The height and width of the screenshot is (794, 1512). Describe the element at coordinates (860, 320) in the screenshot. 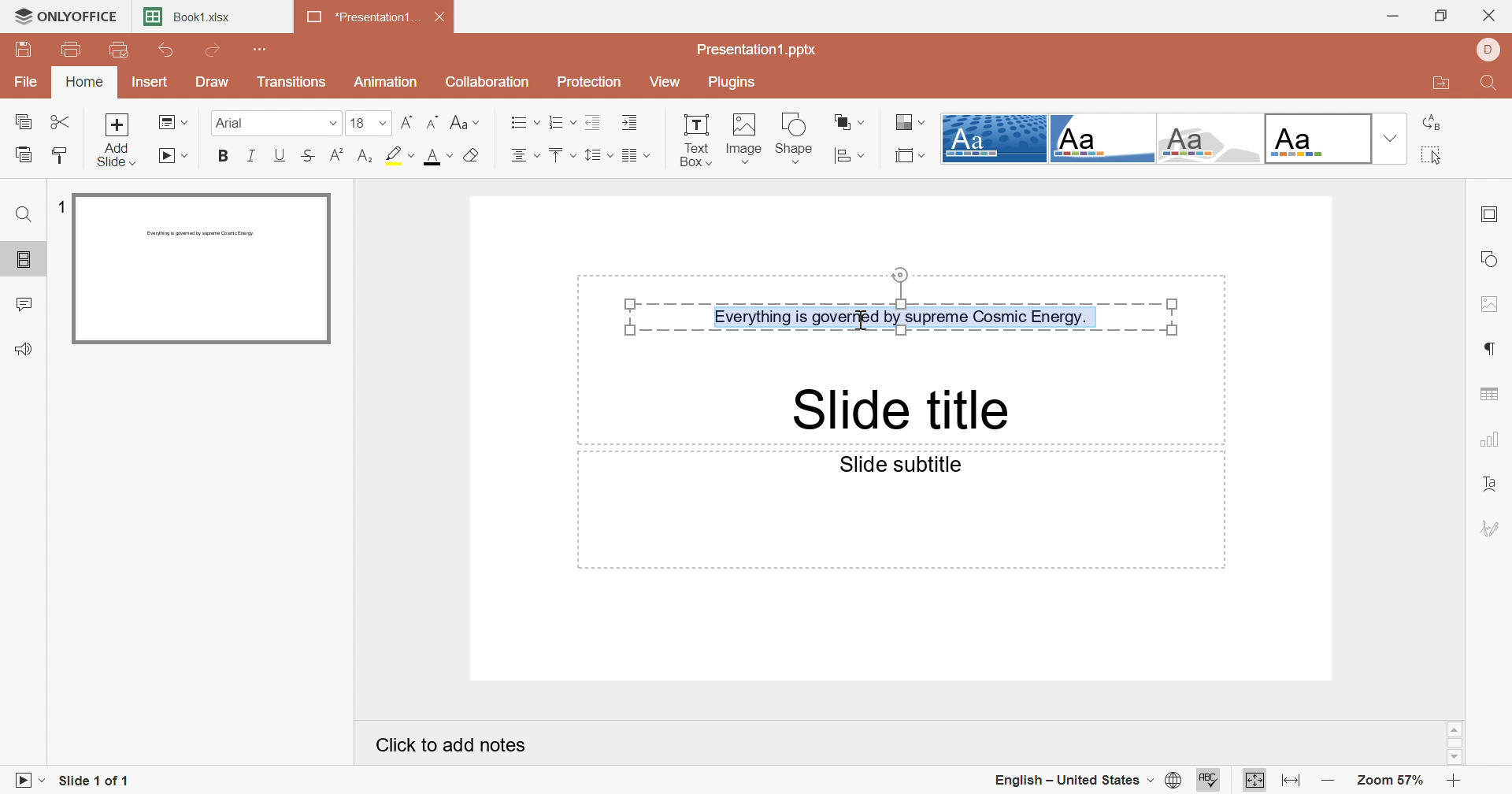

I see `Cursor` at that location.